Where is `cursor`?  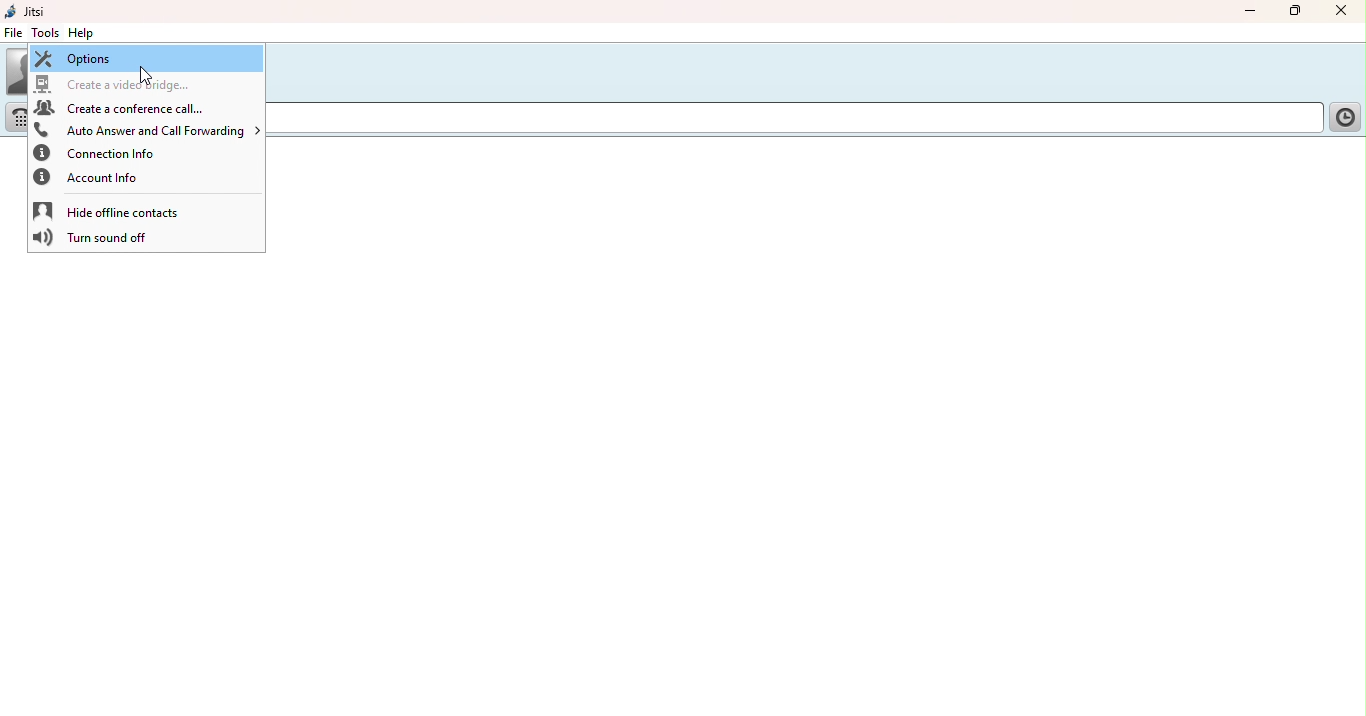
cursor is located at coordinates (148, 77).